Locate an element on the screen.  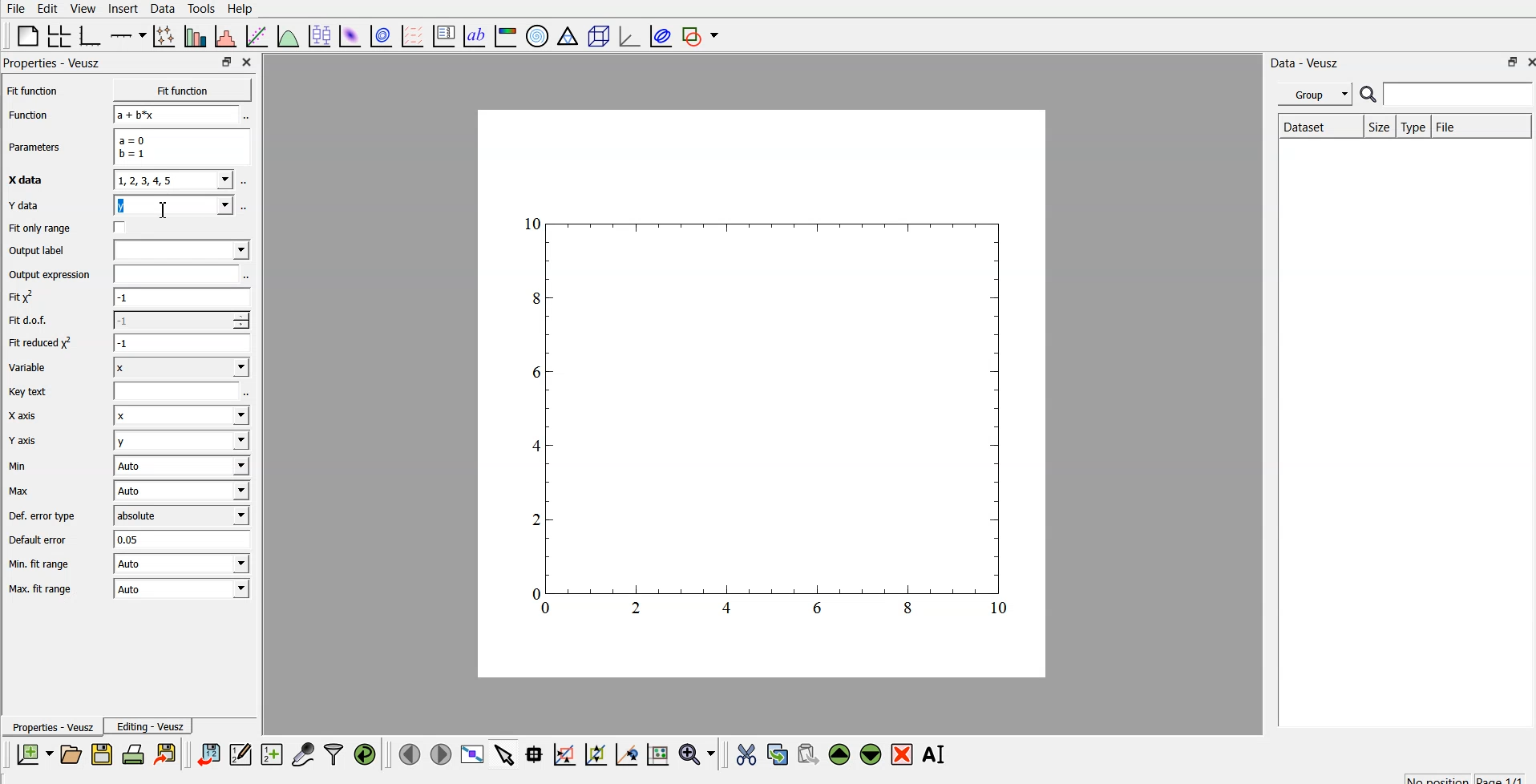
create new datasets is located at coordinates (270, 754).